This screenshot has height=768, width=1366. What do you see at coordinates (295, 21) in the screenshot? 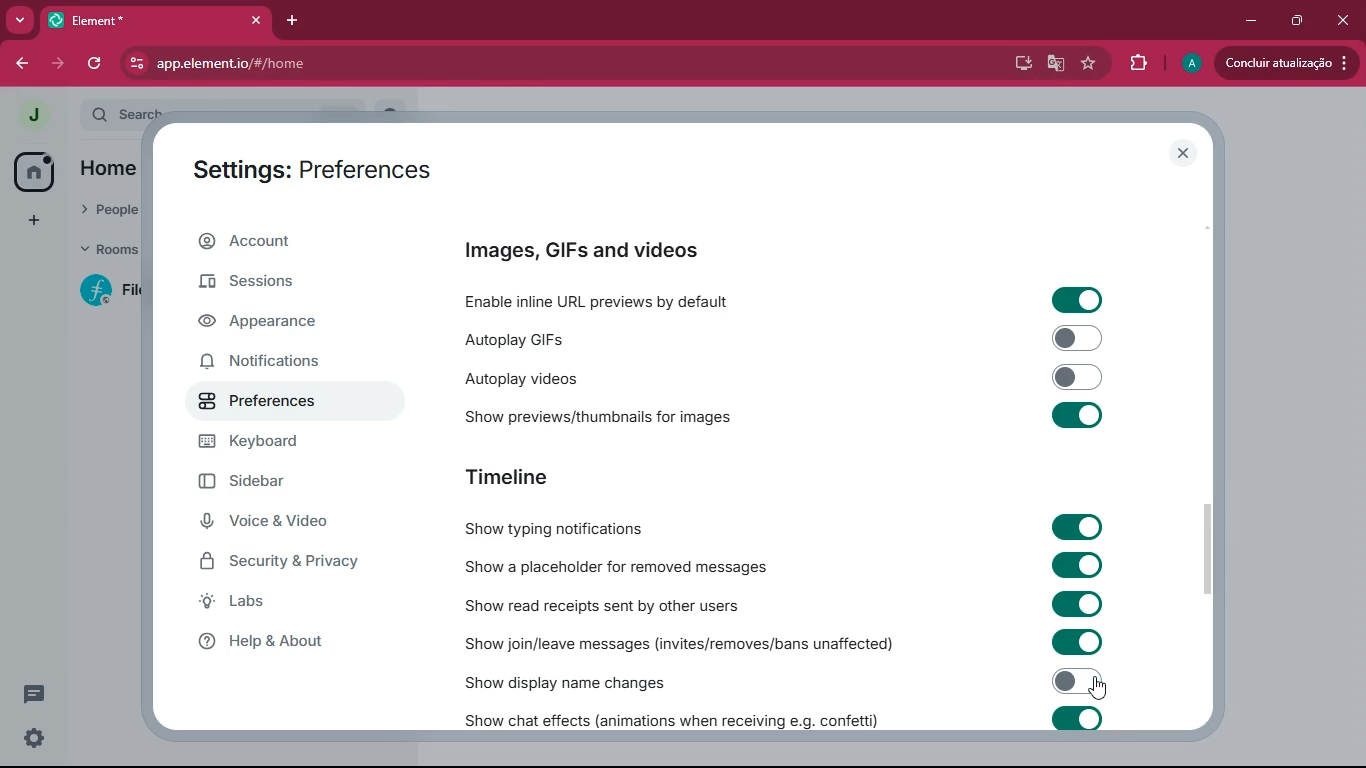
I see `add tab` at bounding box center [295, 21].